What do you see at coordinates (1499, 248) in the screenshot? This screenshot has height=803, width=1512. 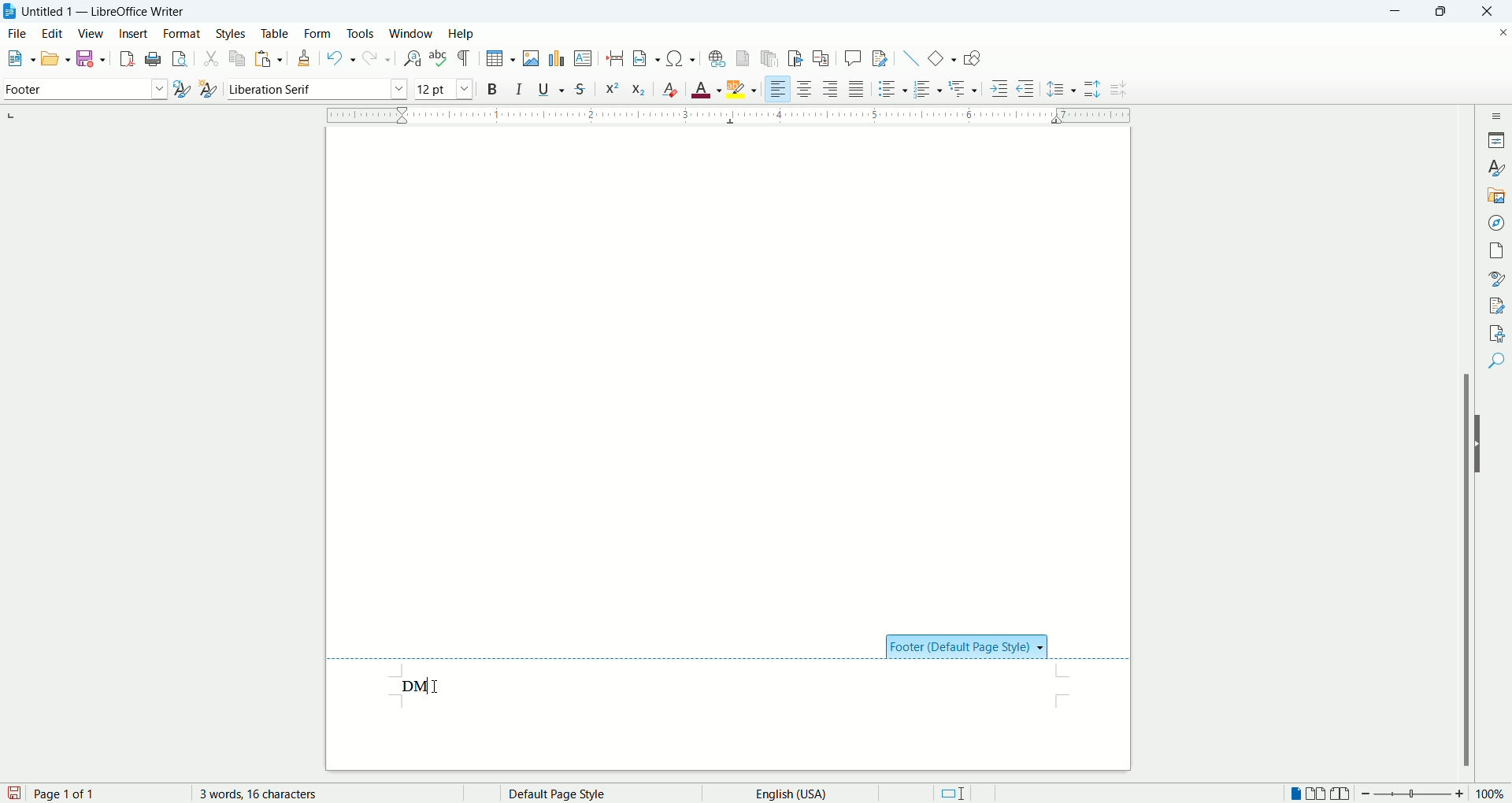 I see `page` at bounding box center [1499, 248].